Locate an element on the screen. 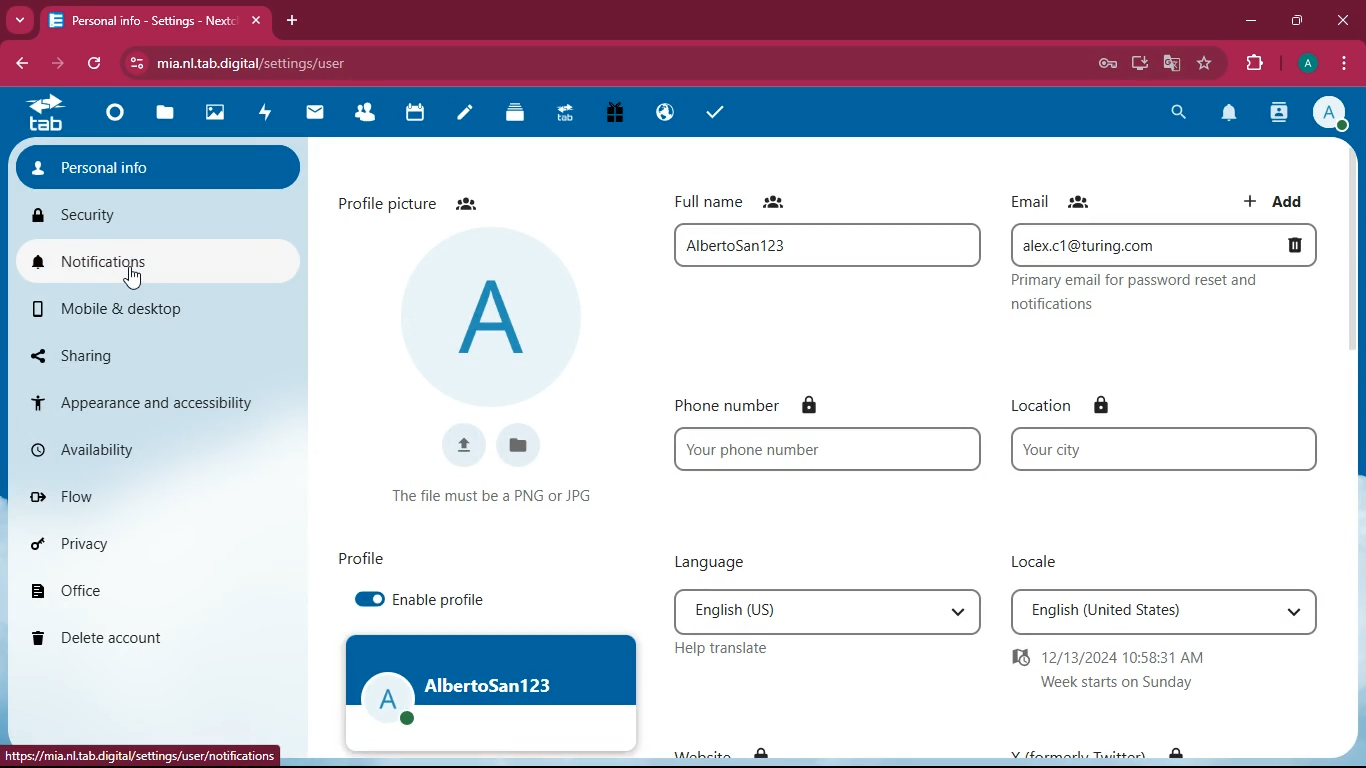 The height and width of the screenshot is (768, 1366). cursor is located at coordinates (130, 279).